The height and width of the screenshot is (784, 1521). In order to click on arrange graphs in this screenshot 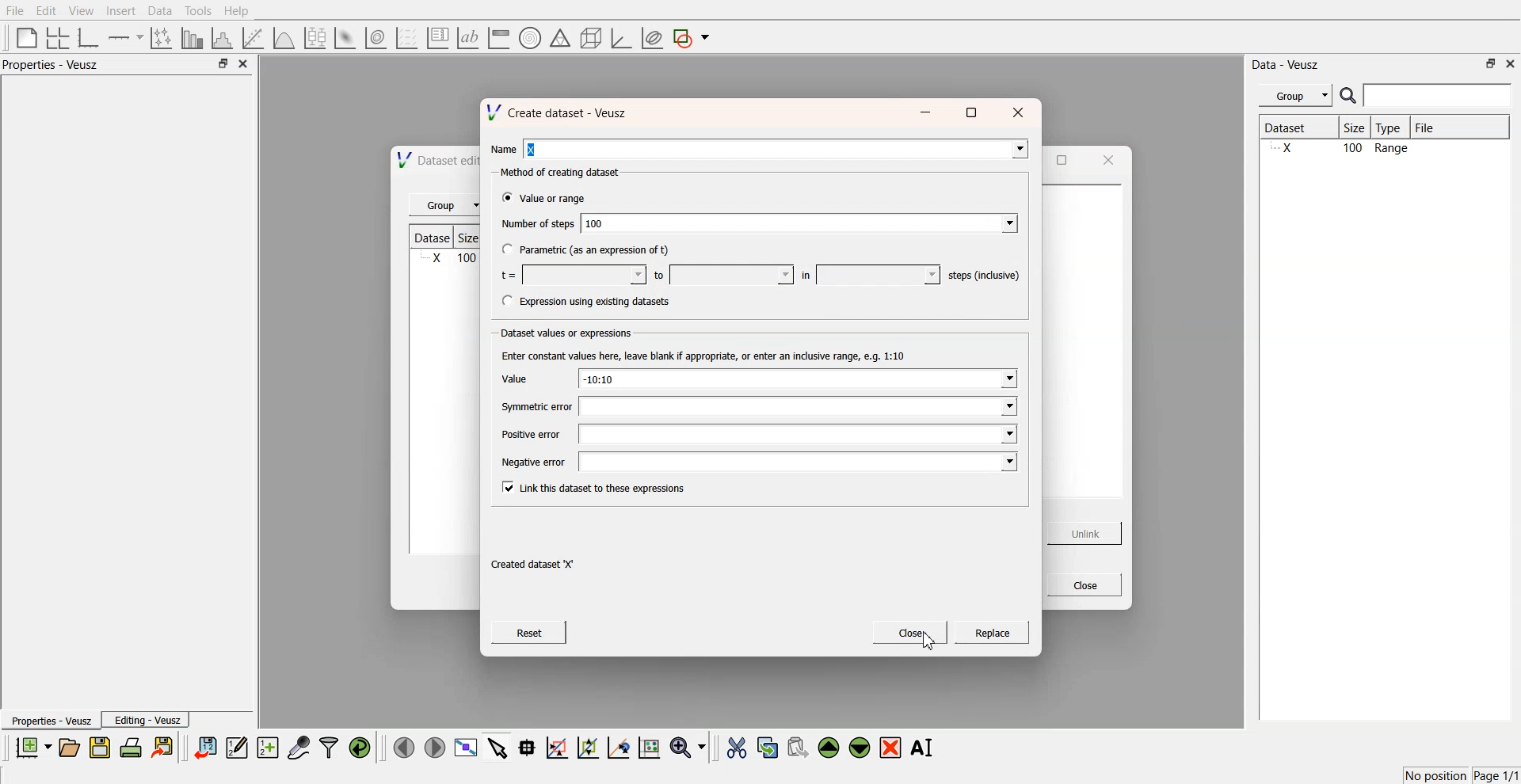, I will do `click(55, 37)`.